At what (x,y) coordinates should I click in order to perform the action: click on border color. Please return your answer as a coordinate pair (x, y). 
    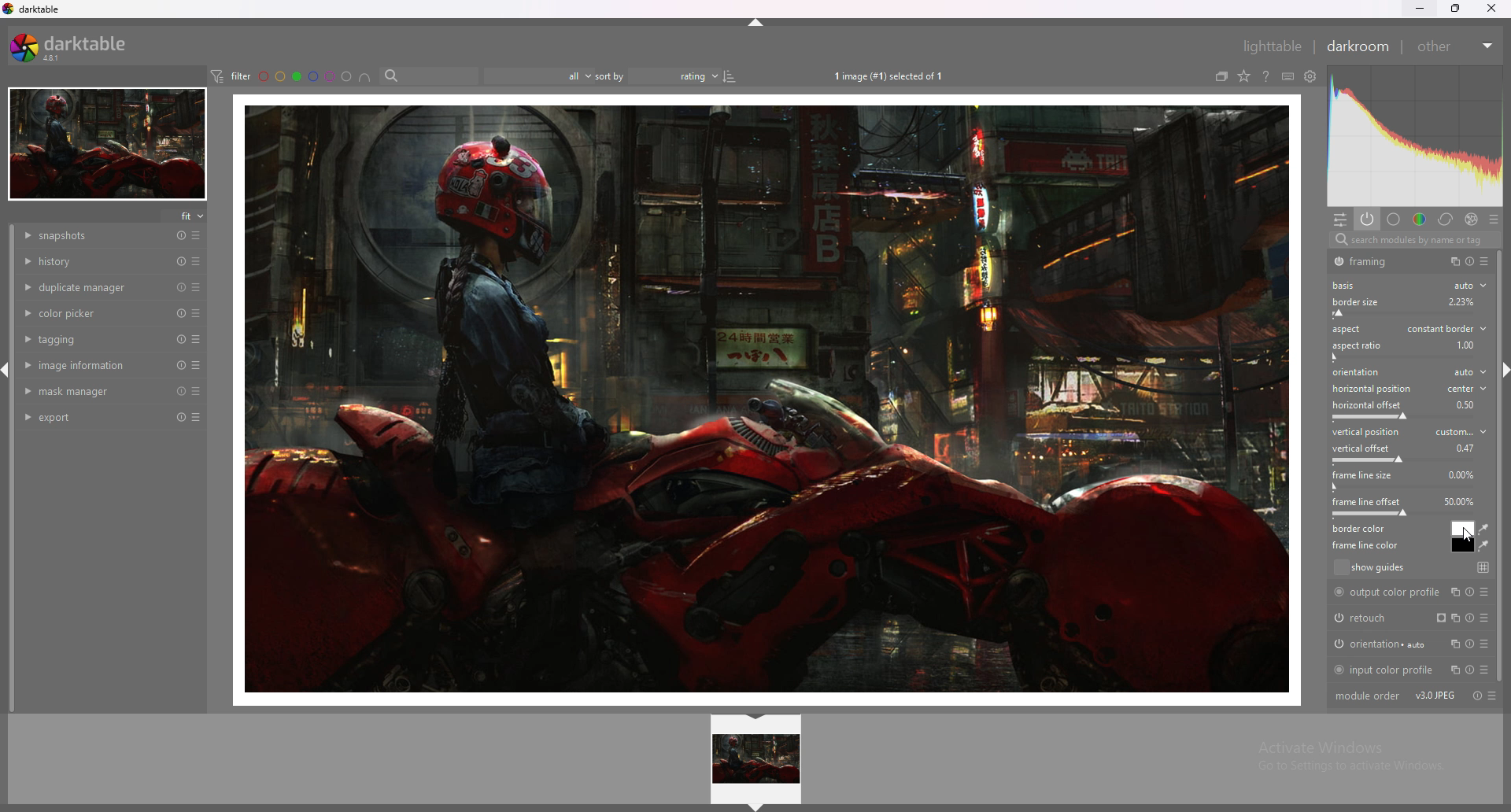
    Looking at the image, I should click on (1365, 529).